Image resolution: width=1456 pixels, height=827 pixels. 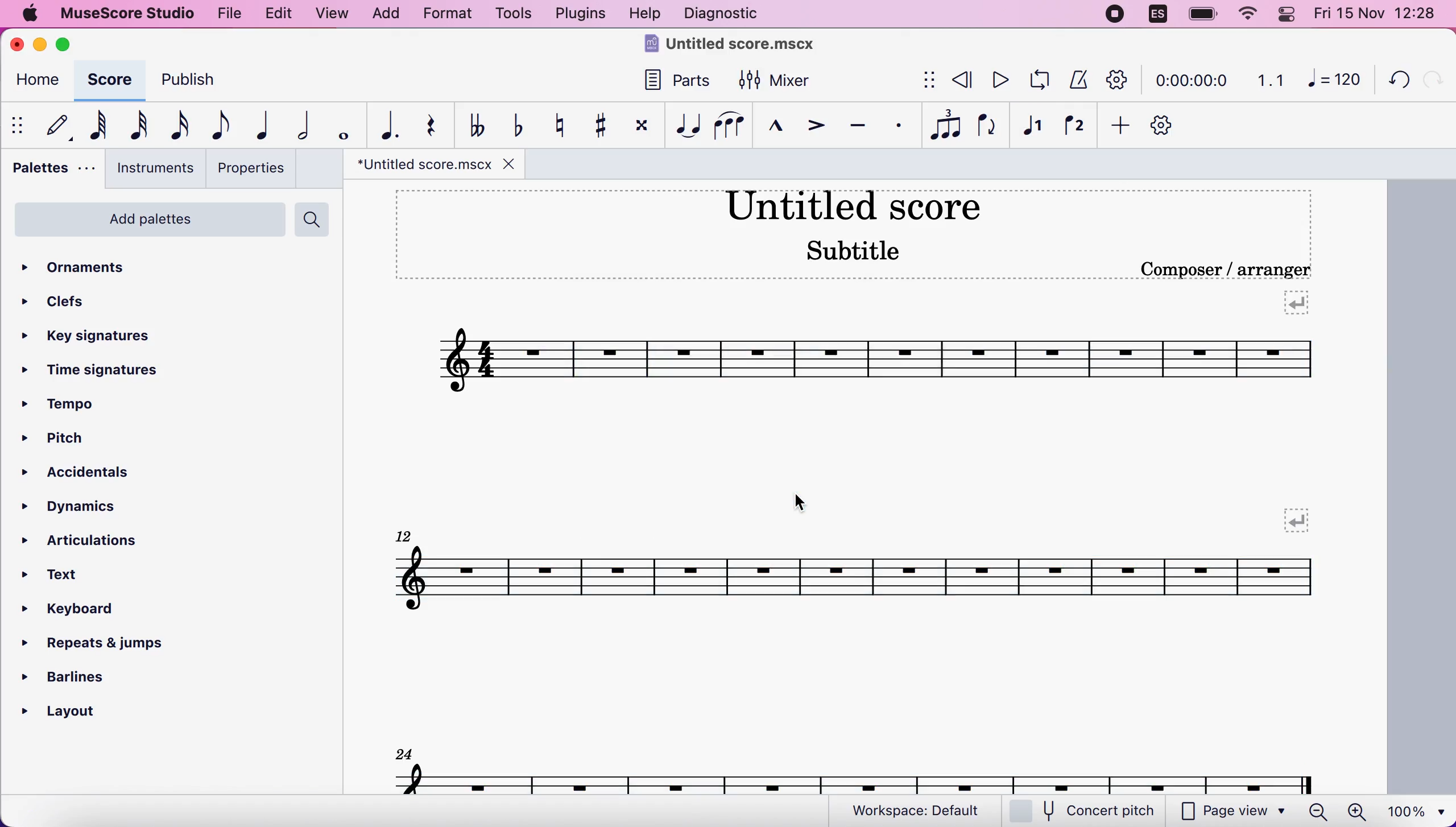 What do you see at coordinates (1432, 79) in the screenshot?
I see `redo` at bounding box center [1432, 79].